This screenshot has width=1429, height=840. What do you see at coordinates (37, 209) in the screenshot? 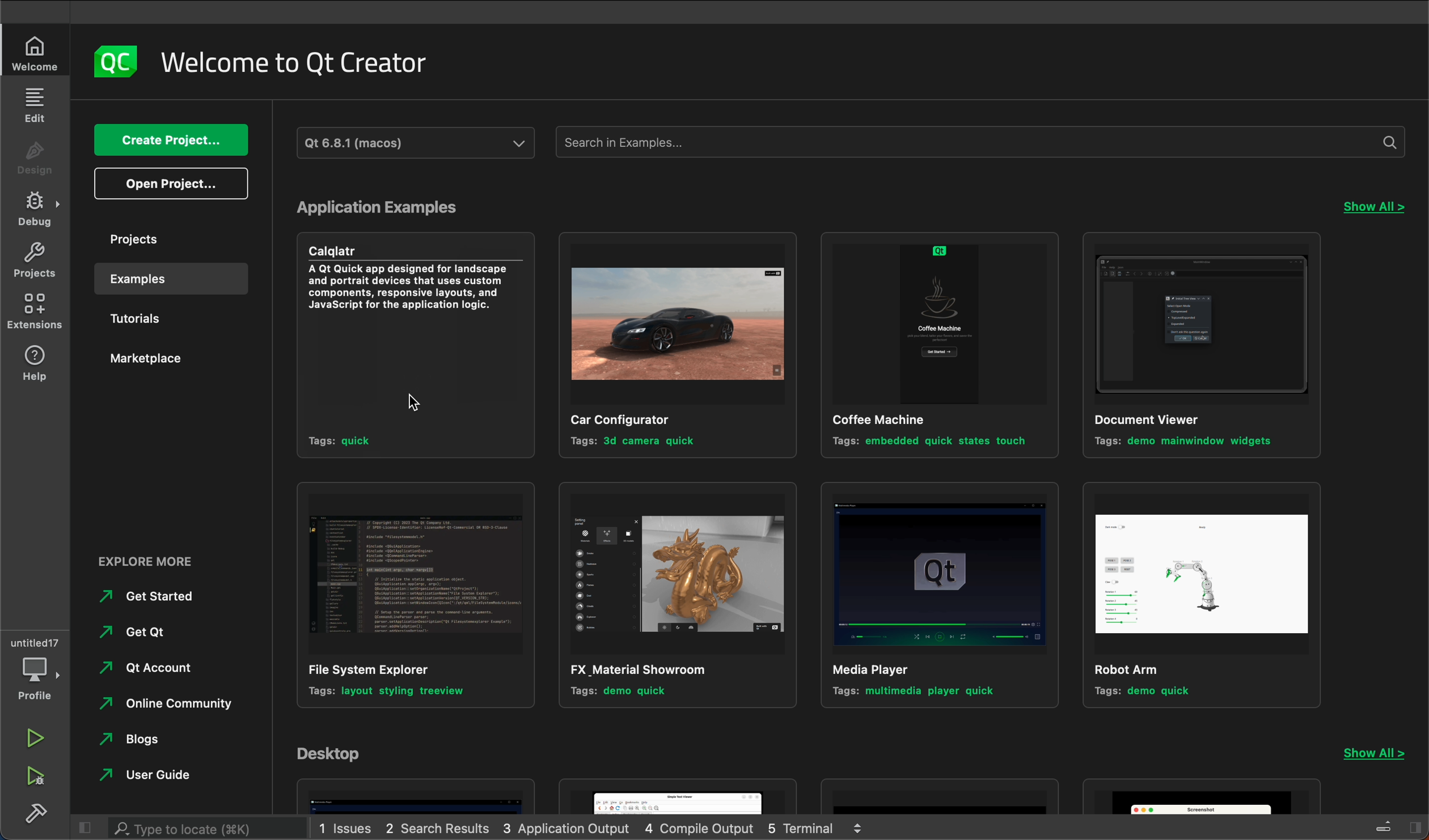
I see `debug` at bounding box center [37, 209].